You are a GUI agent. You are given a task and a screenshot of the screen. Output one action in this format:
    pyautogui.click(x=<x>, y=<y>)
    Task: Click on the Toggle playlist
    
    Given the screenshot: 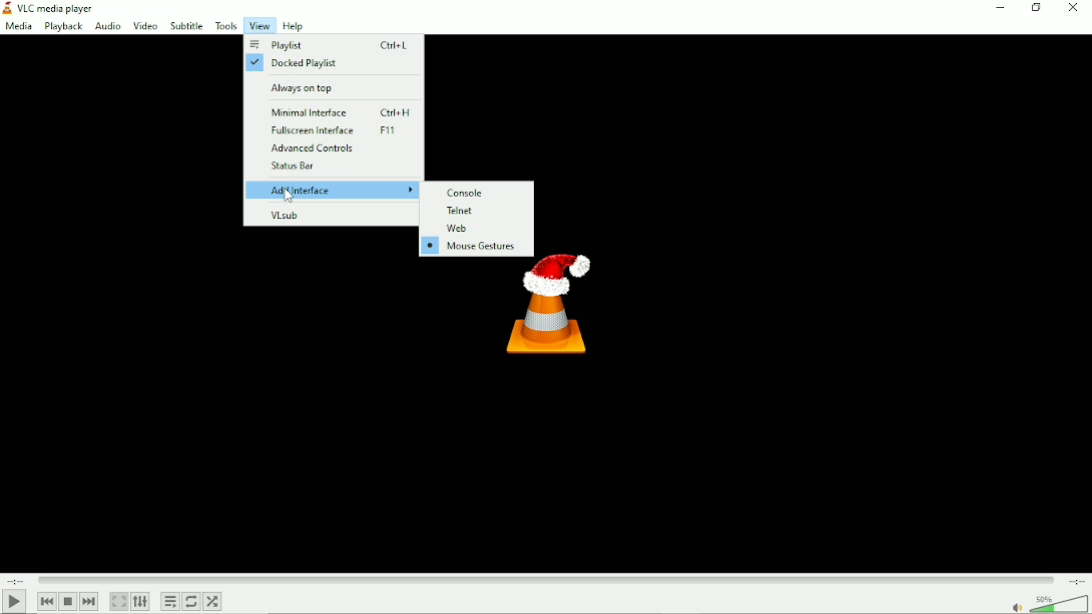 What is the action you would take?
    pyautogui.click(x=170, y=602)
    